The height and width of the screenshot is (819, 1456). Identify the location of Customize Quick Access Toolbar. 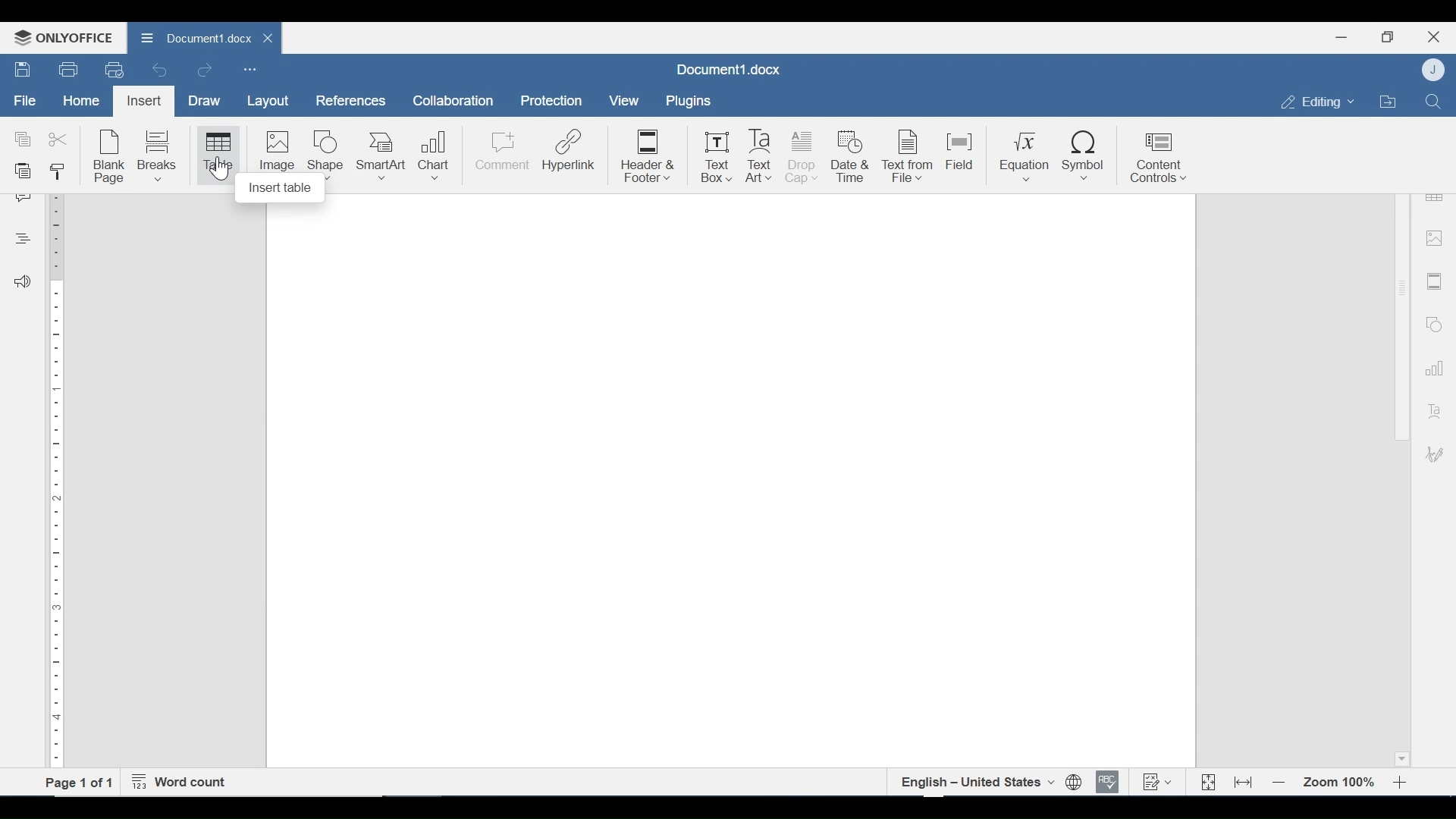
(249, 69).